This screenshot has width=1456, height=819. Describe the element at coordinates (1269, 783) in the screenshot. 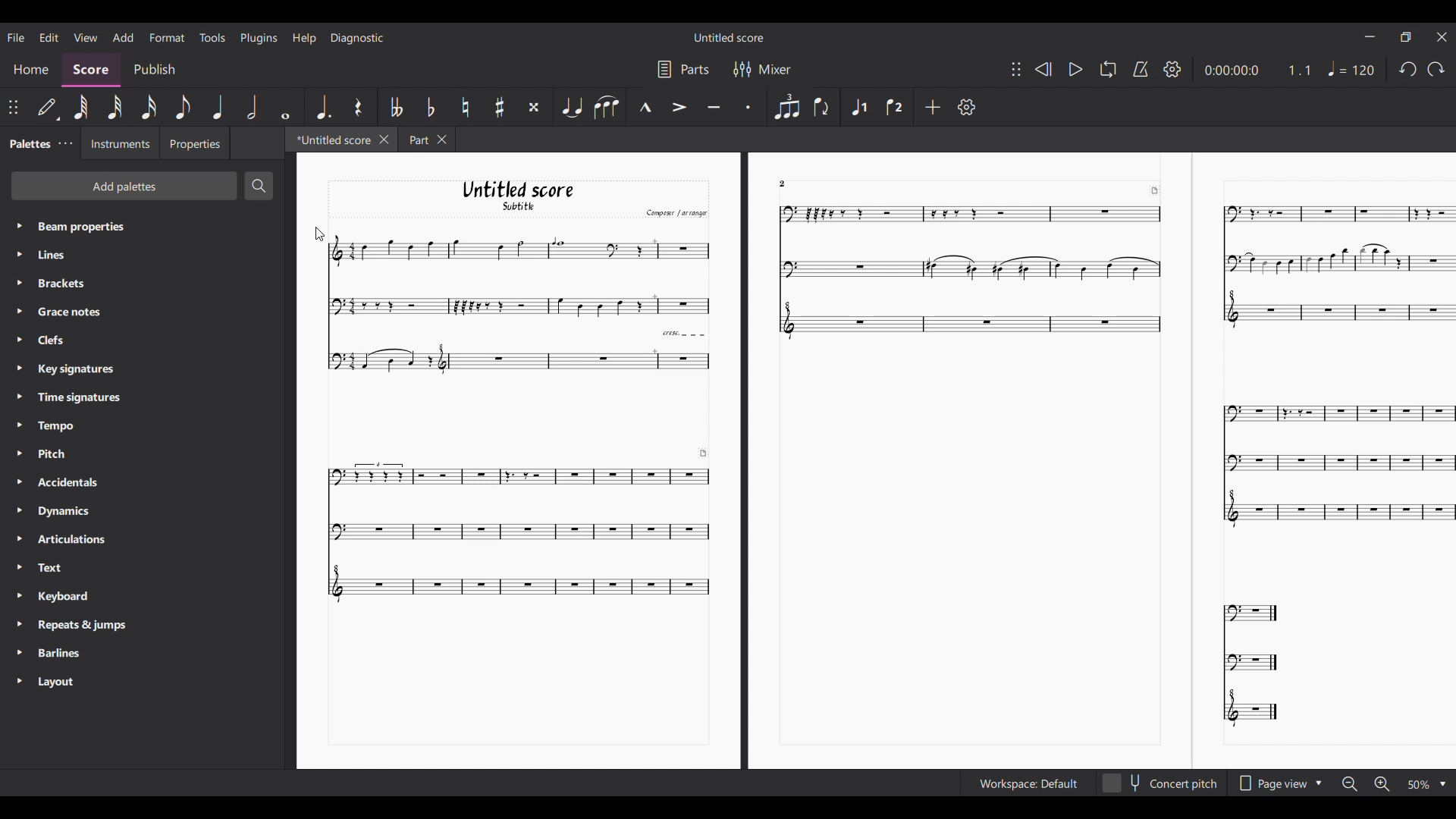

I see `Page view options` at that location.